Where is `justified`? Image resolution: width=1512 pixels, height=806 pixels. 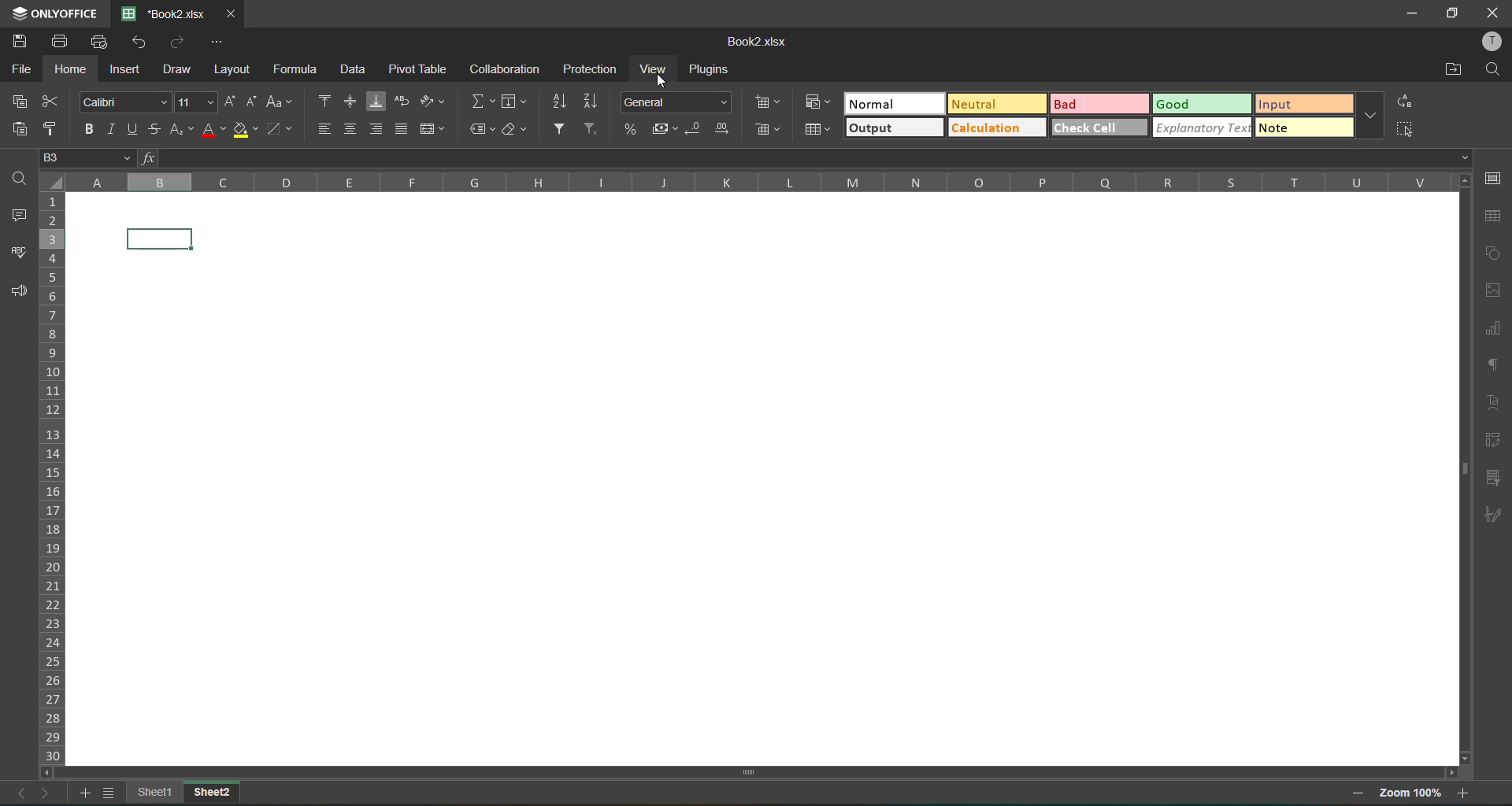
justified is located at coordinates (402, 130).